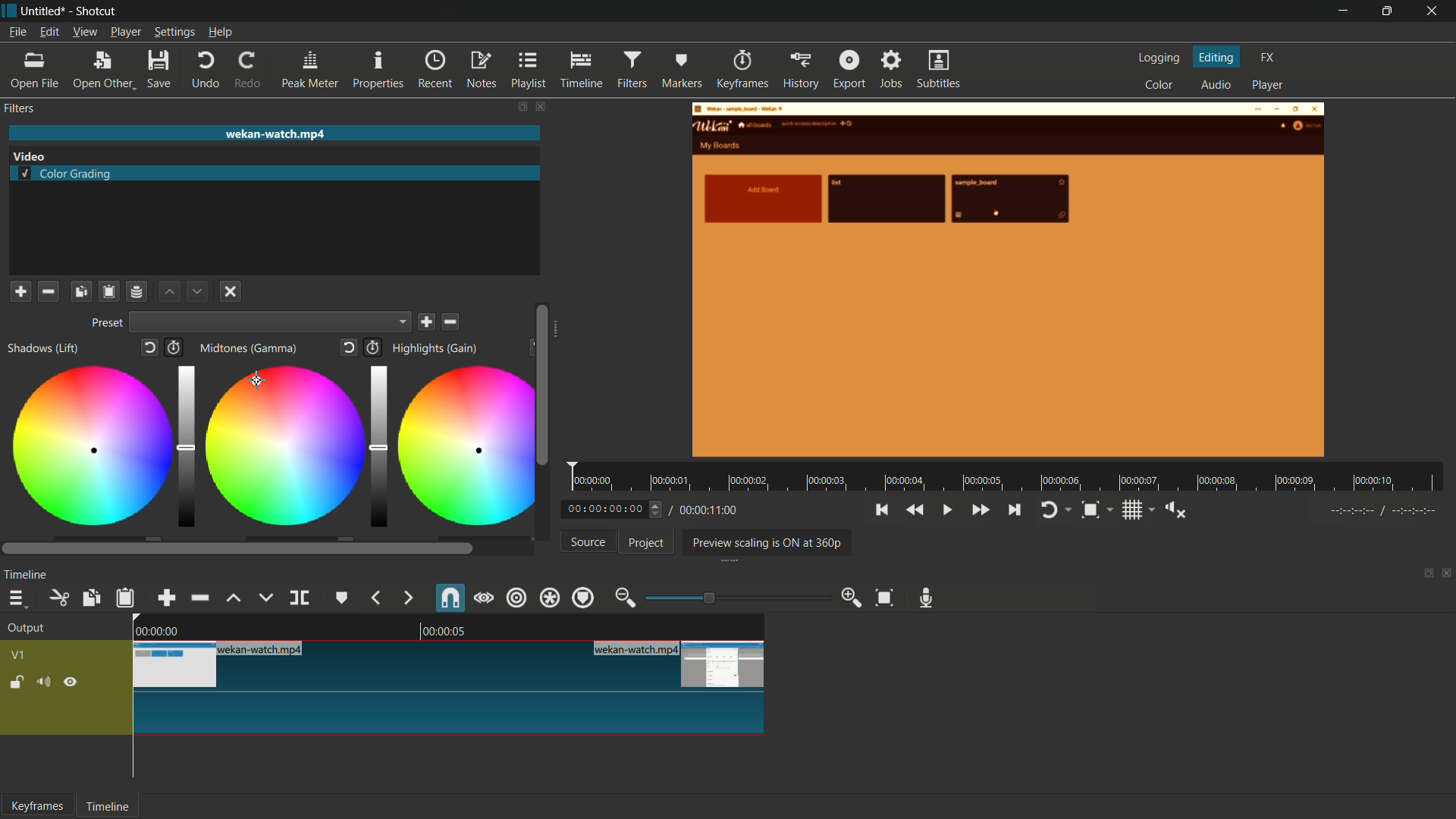 This screenshot has width=1456, height=819. What do you see at coordinates (373, 347) in the screenshot?
I see `add keyframes to this parameter` at bounding box center [373, 347].